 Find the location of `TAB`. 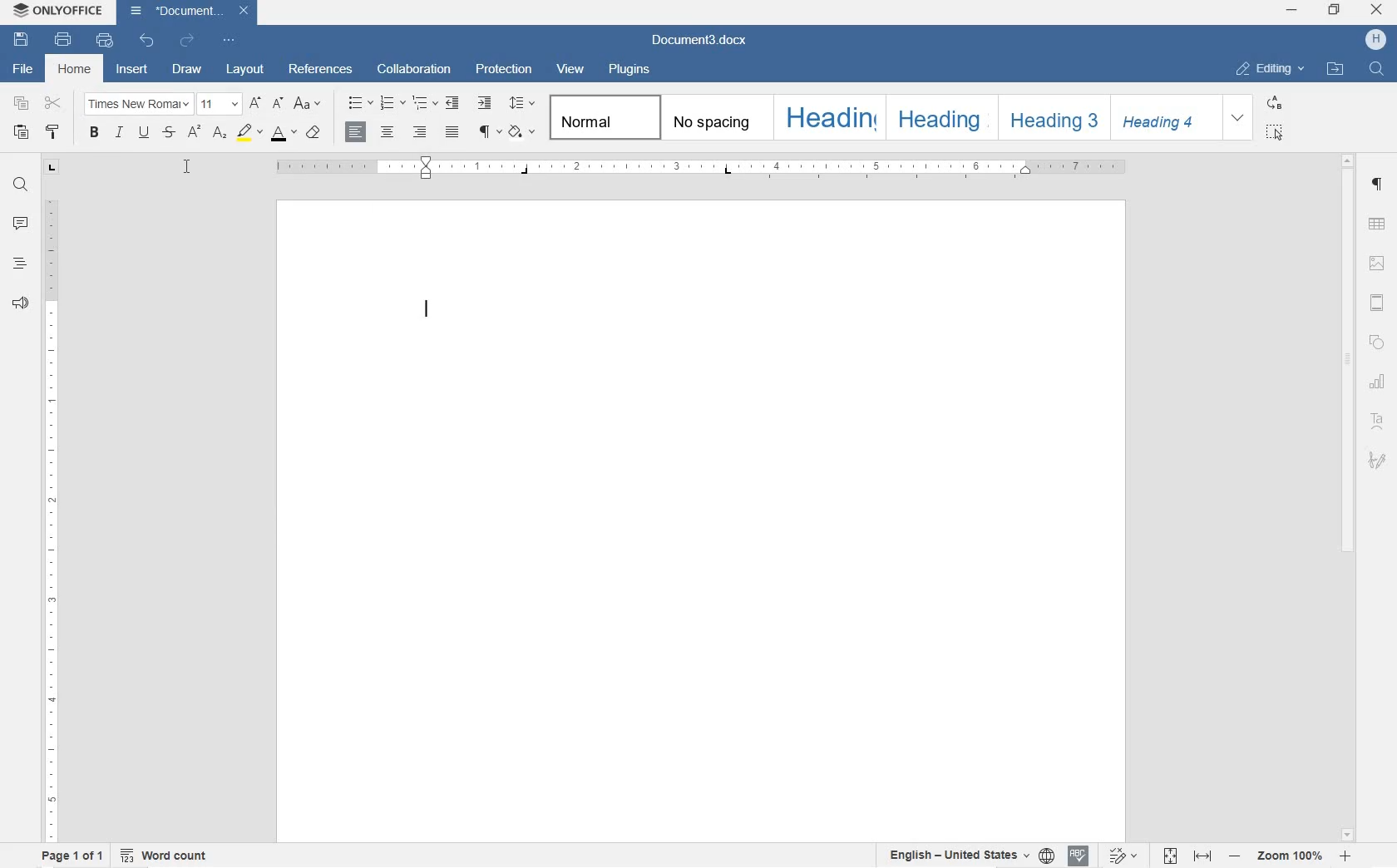

TAB is located at coordinates (52, 167).